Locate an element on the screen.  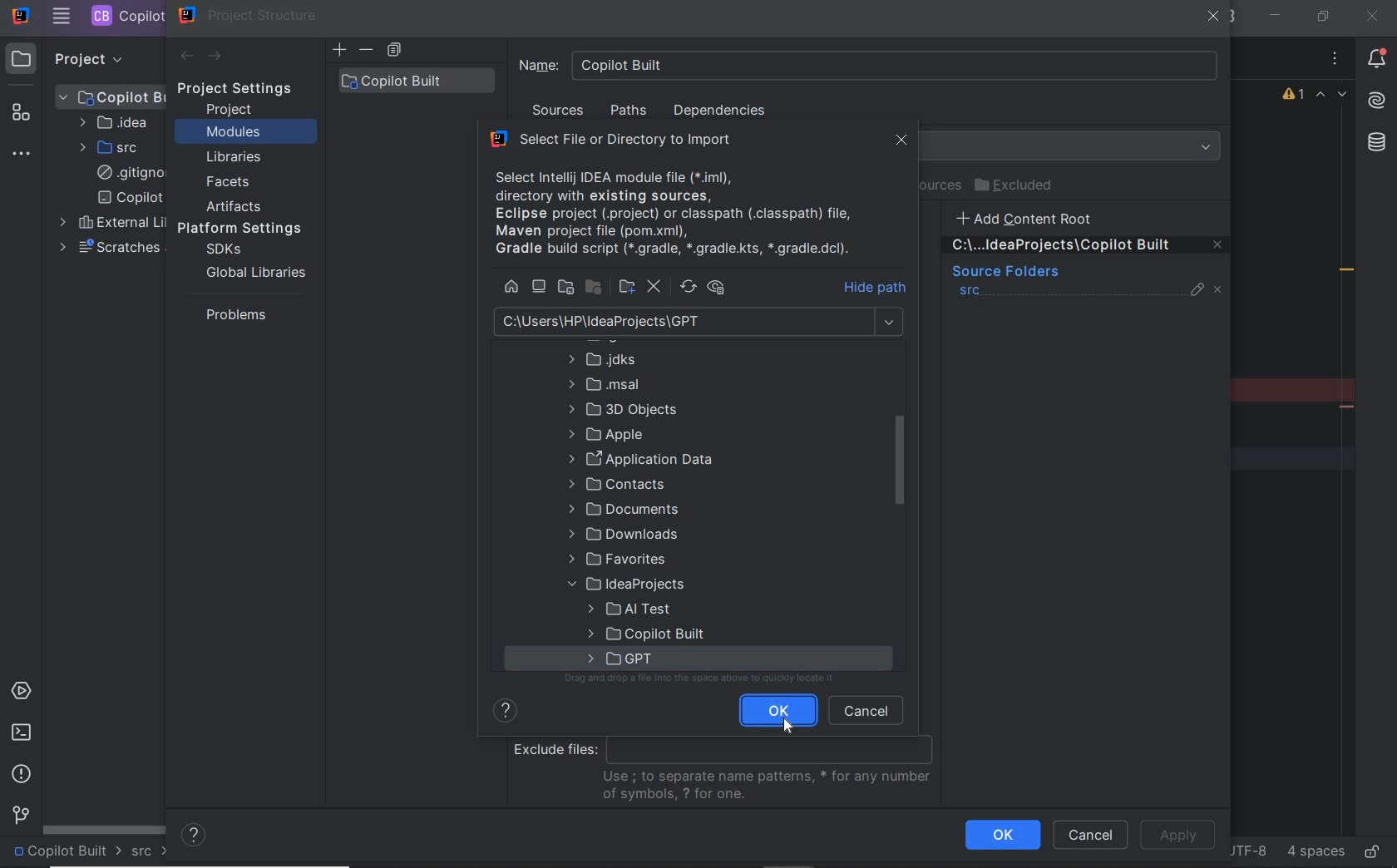
external libraries is located at coordinates (109, 223).